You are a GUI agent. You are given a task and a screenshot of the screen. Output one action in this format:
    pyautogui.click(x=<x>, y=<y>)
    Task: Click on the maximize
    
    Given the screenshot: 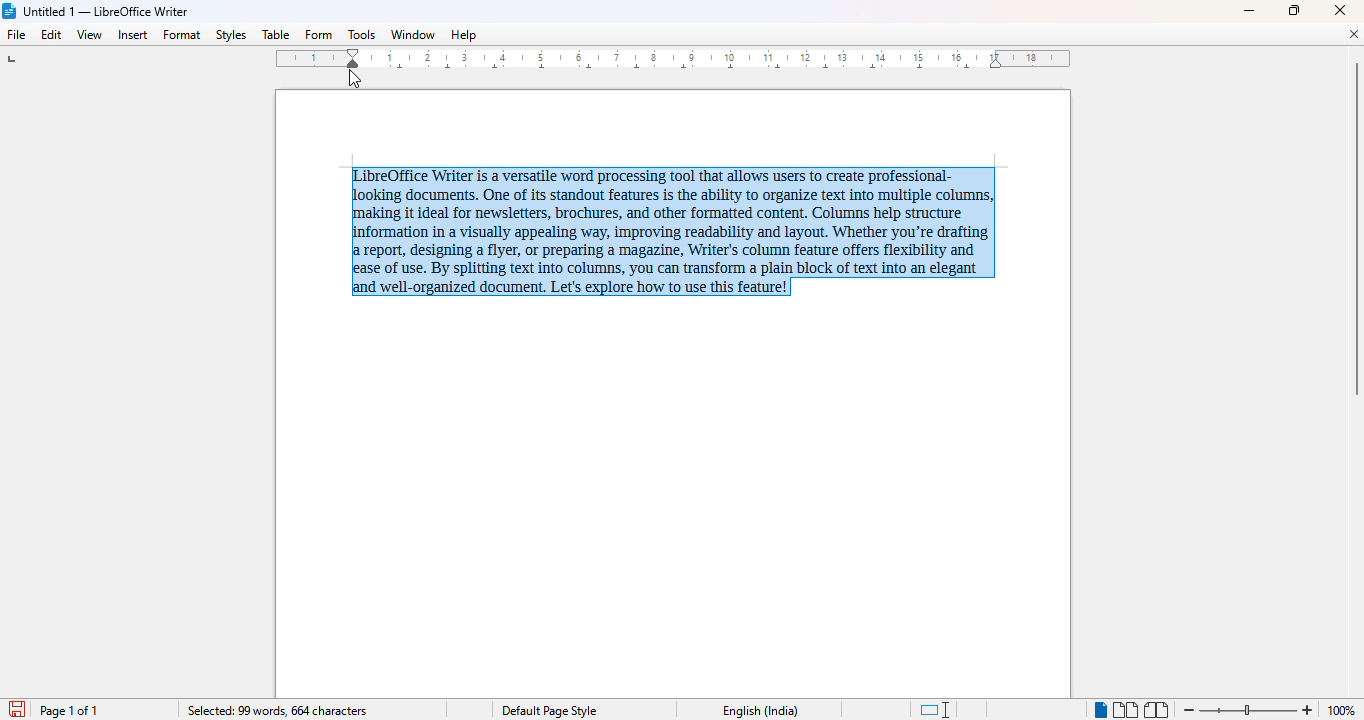 What is the action you would take?
    pyautogui.click(x=1294, y=10)
    